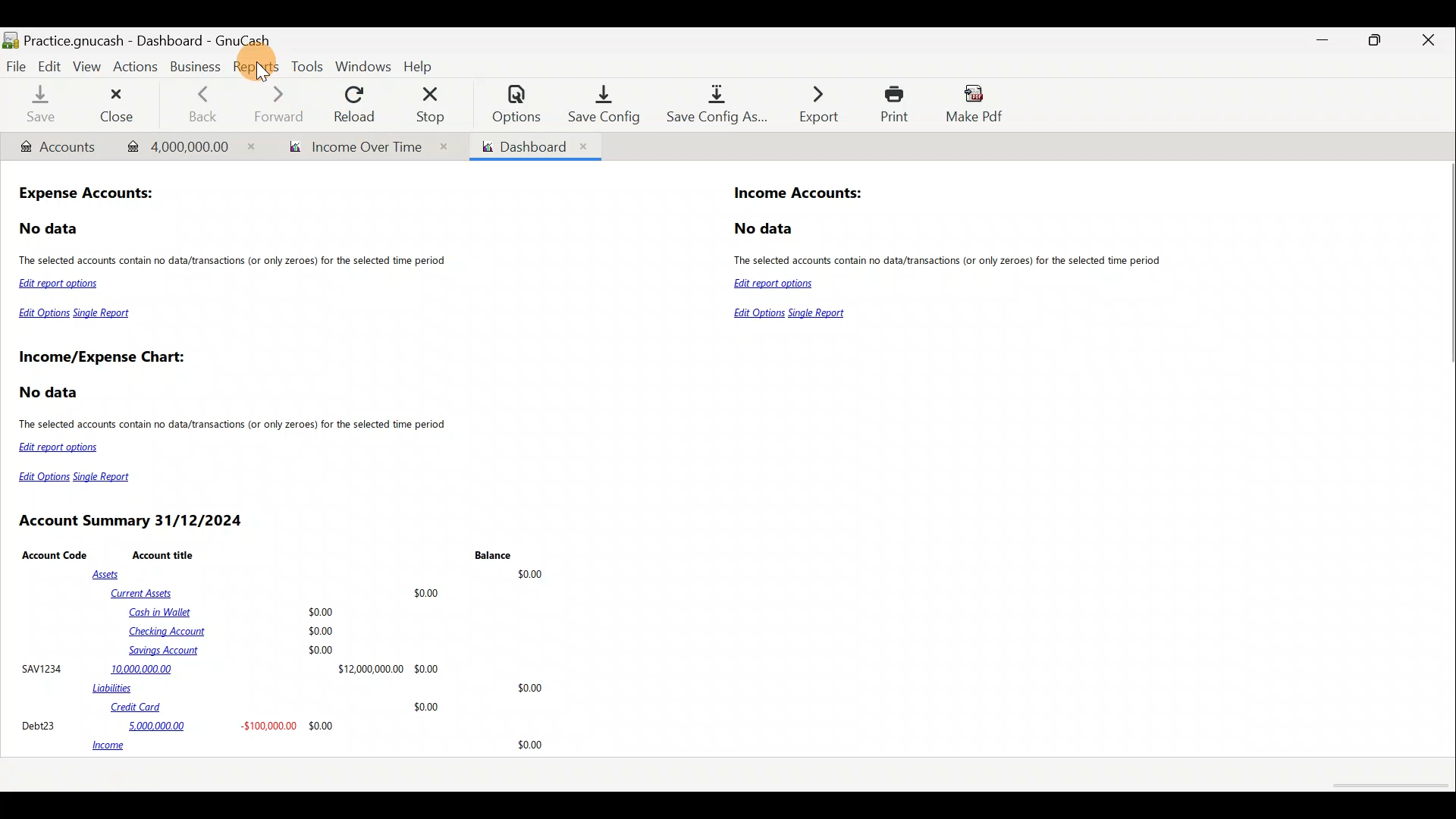 The image size is (1456, 819). Describe the element at coordinates (422, 64) in the screenshot. I see `Help` at that location.